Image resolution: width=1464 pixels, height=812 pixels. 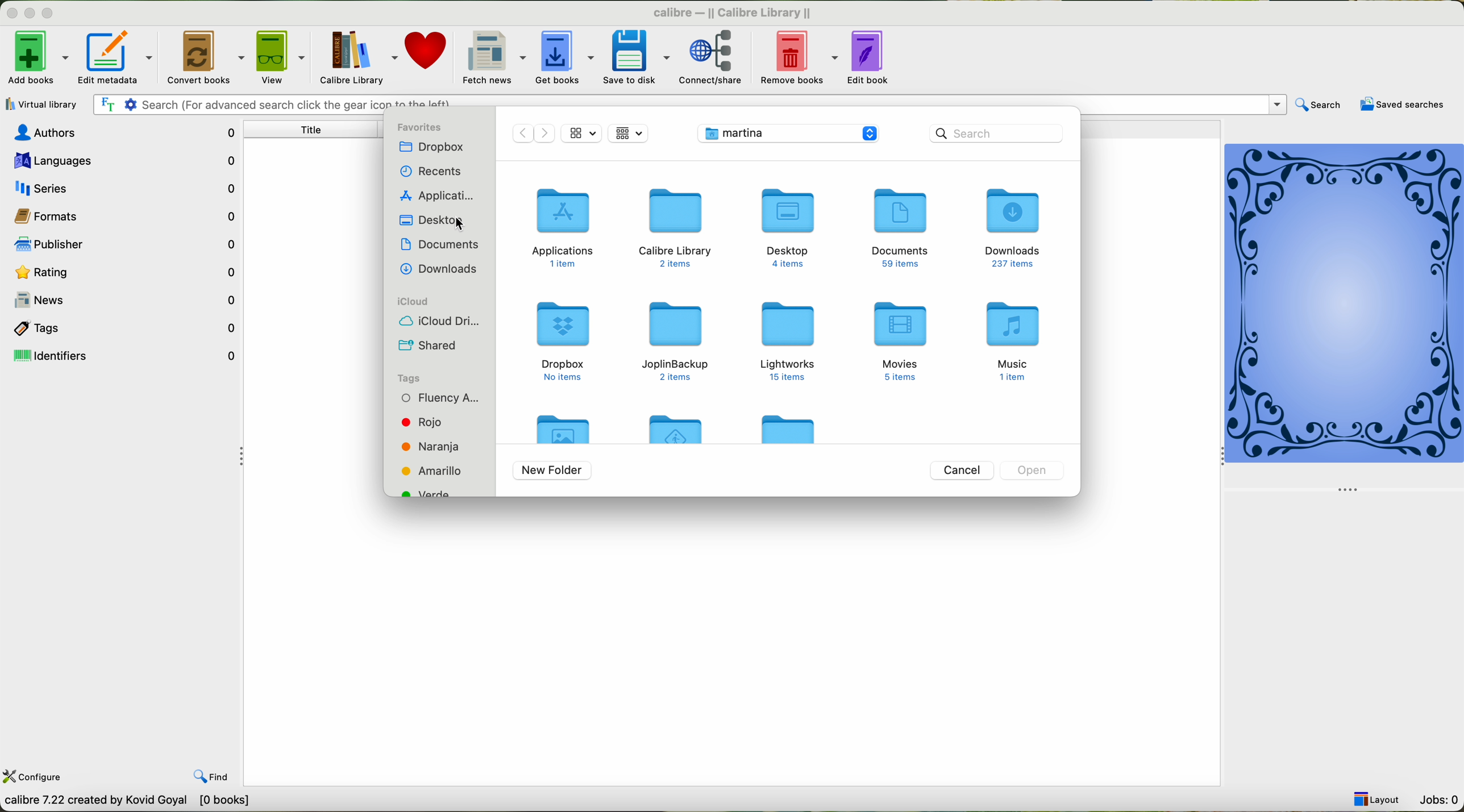 I want to click on dropbox, so click(x=561, y=338).